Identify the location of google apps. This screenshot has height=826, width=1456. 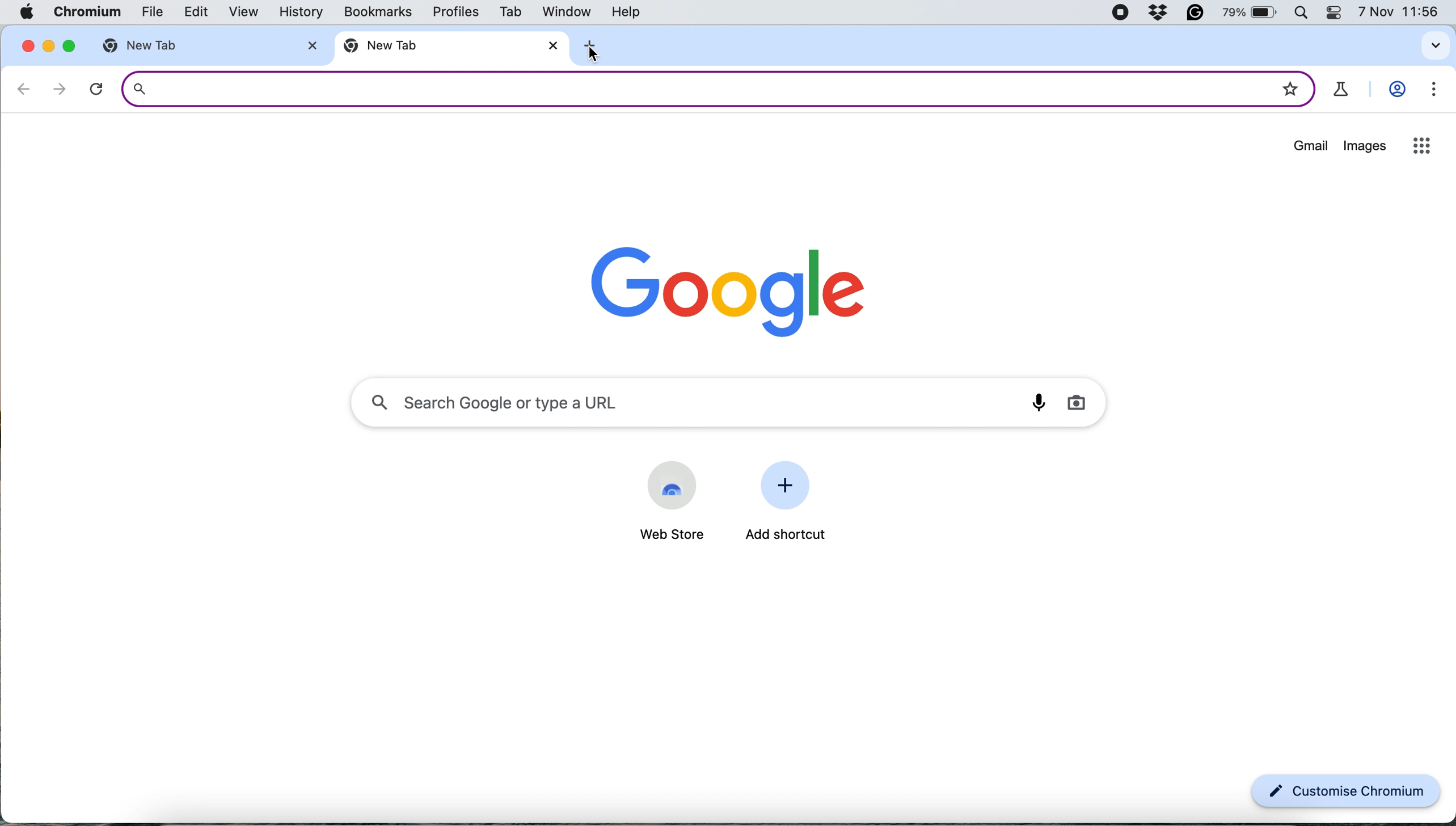
(1420, 145).